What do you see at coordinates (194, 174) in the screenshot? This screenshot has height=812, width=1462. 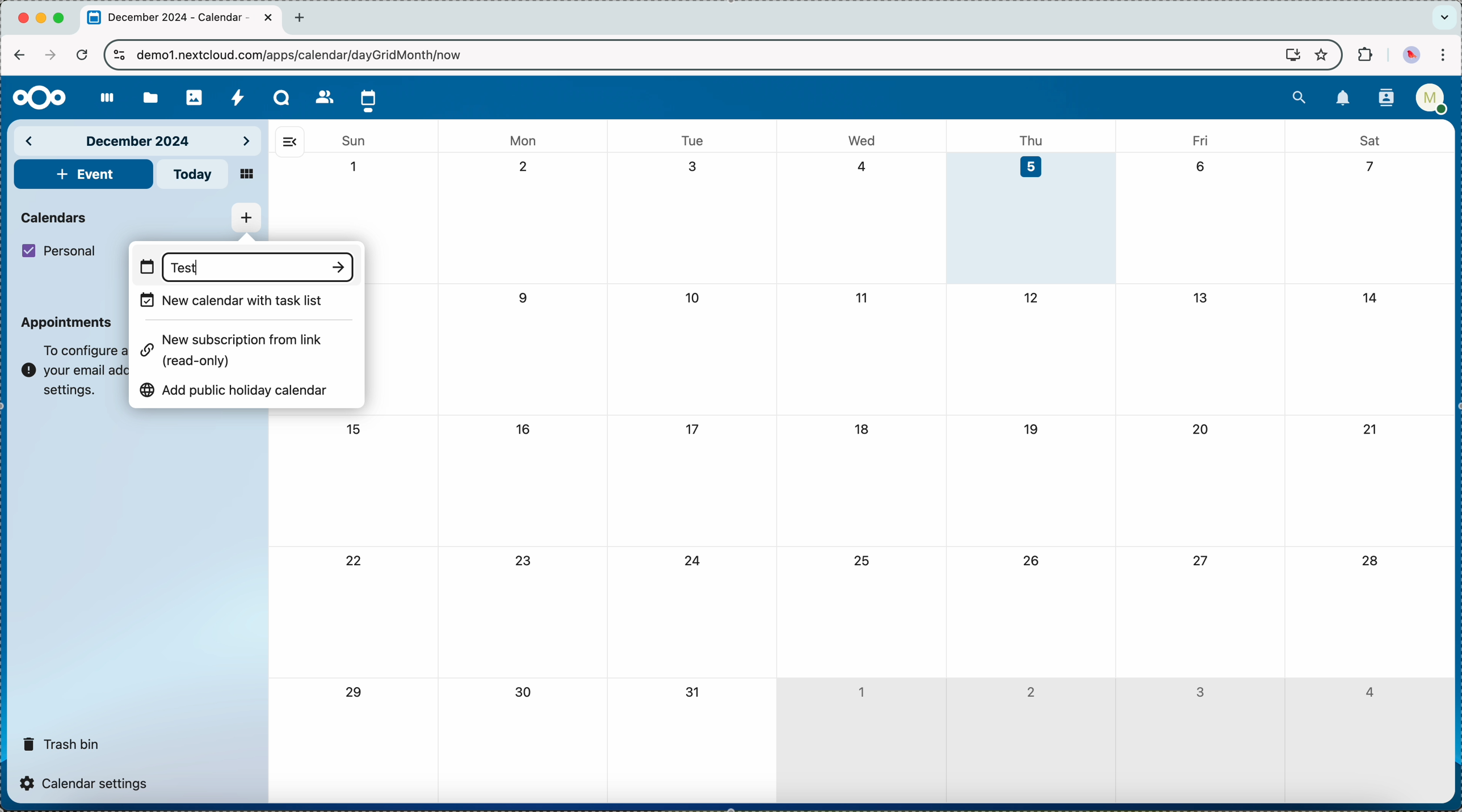 I see `today` at bounding box center [194, 174].